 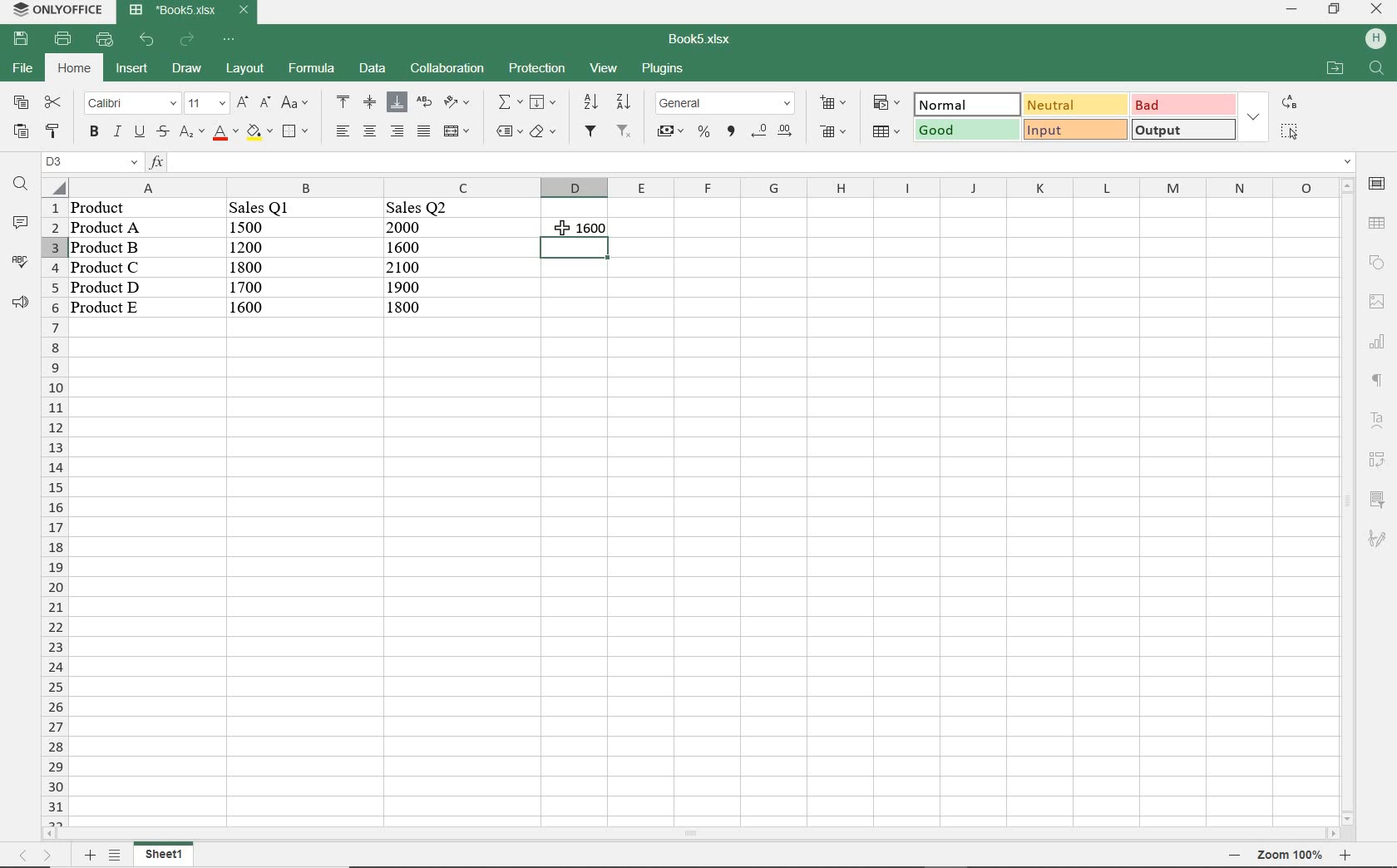 I want to click on support & feedback, so click(x=17, y=301).